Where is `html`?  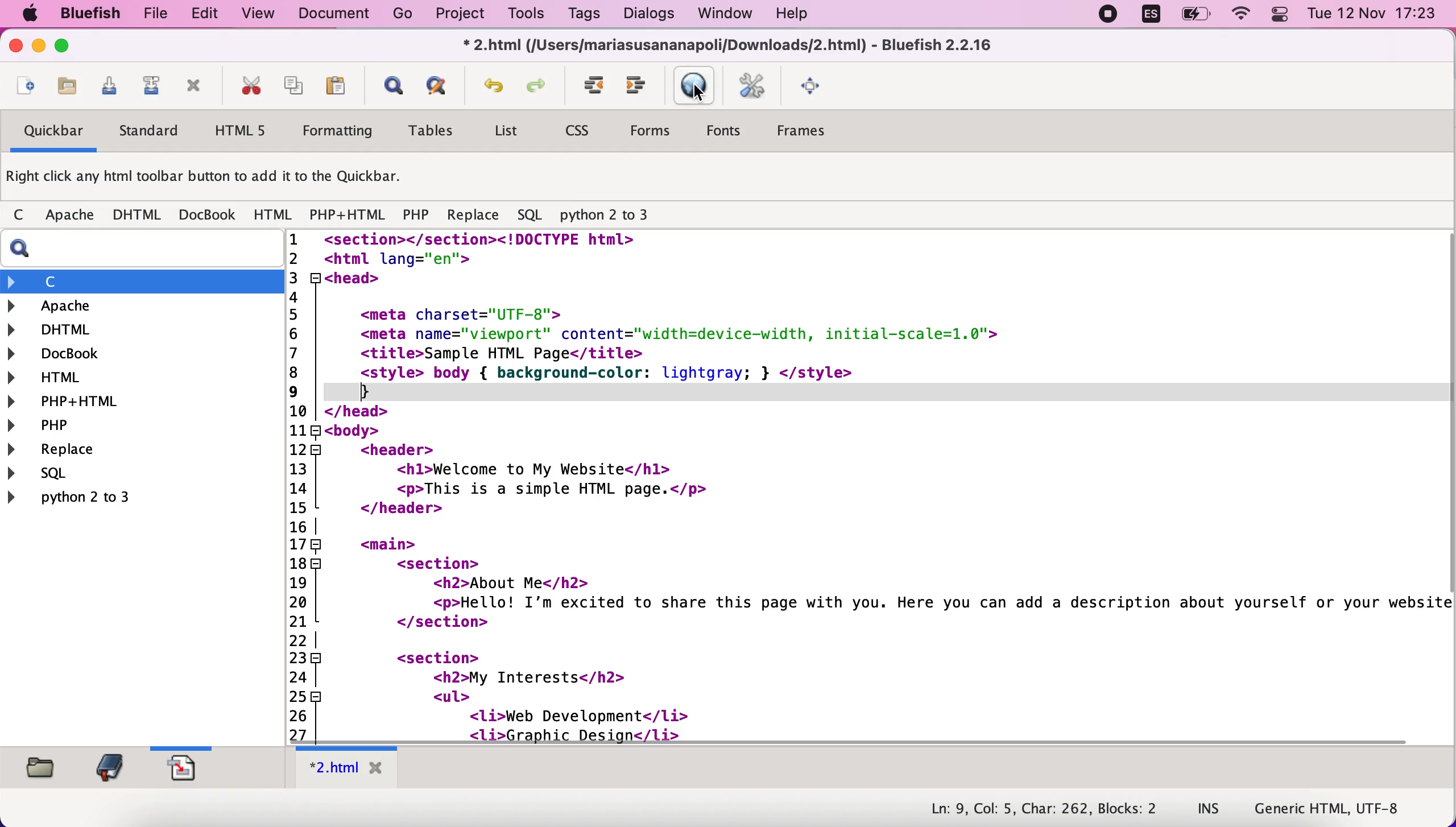 html is located at coordinates (136, 377).